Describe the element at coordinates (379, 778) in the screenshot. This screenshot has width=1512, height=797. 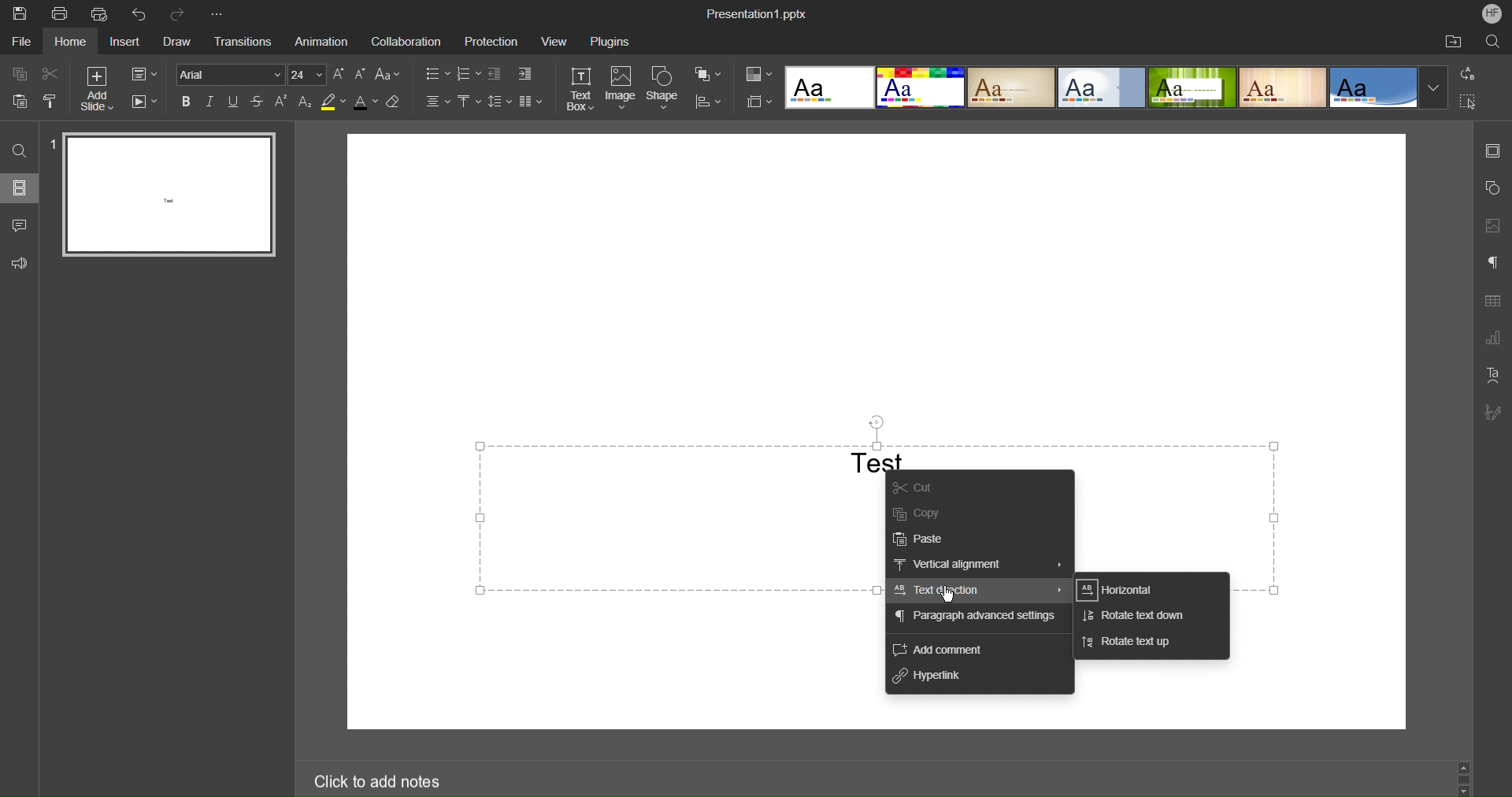
I see `Click to add notes` at that location.